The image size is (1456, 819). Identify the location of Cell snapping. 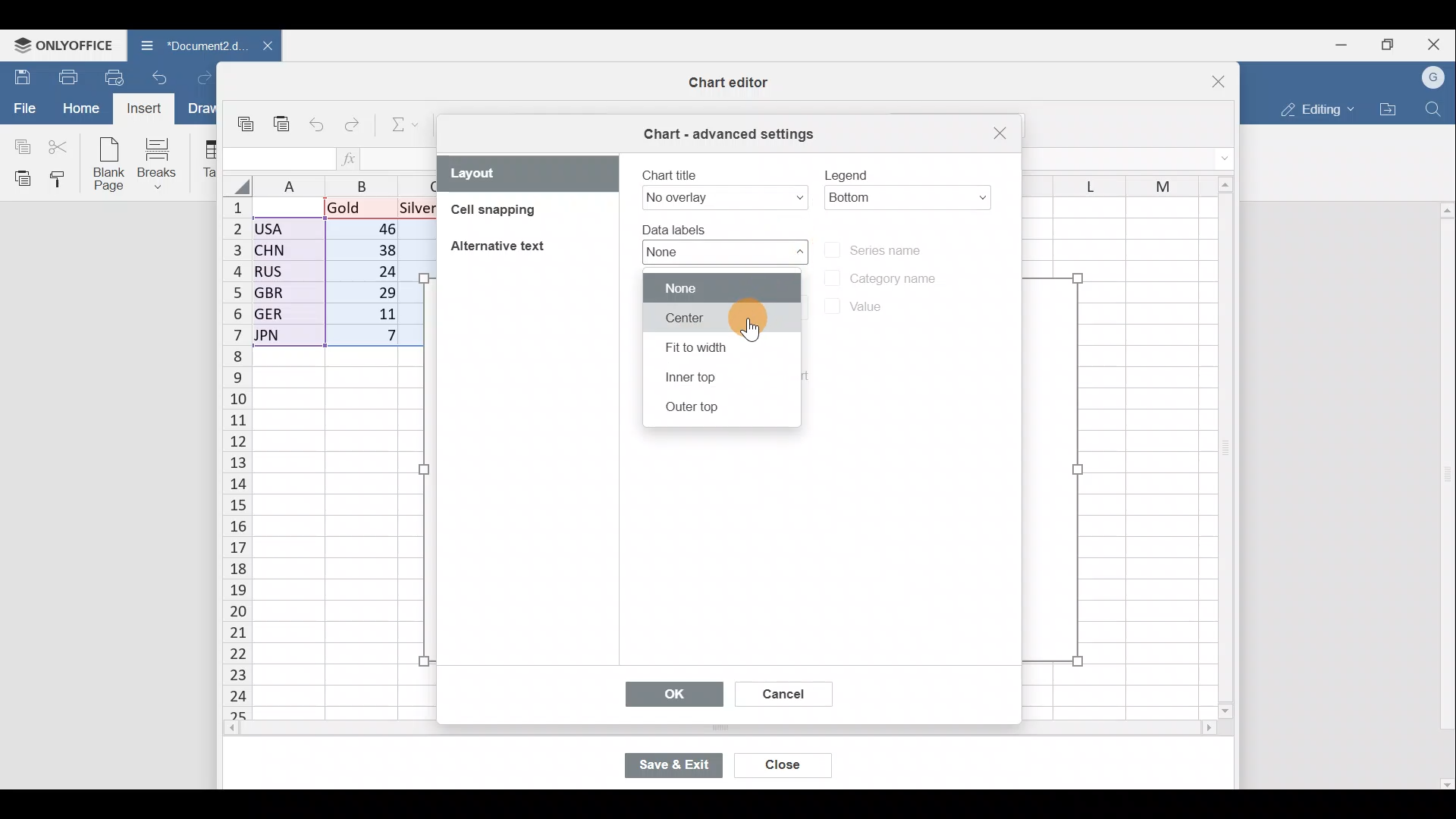
(515, 215).